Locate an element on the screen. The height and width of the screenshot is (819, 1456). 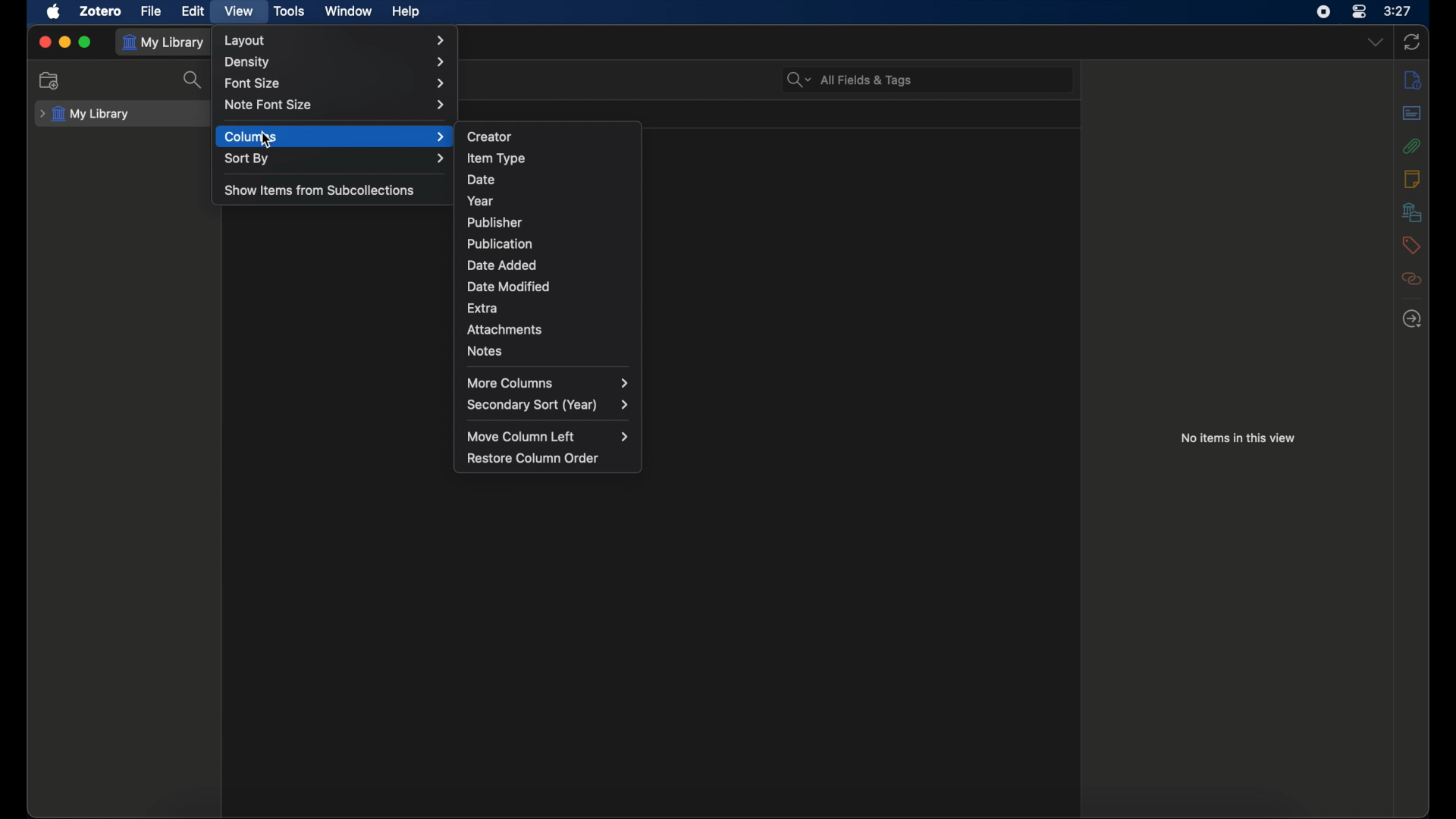
notes is located at coordinates (485, 350).